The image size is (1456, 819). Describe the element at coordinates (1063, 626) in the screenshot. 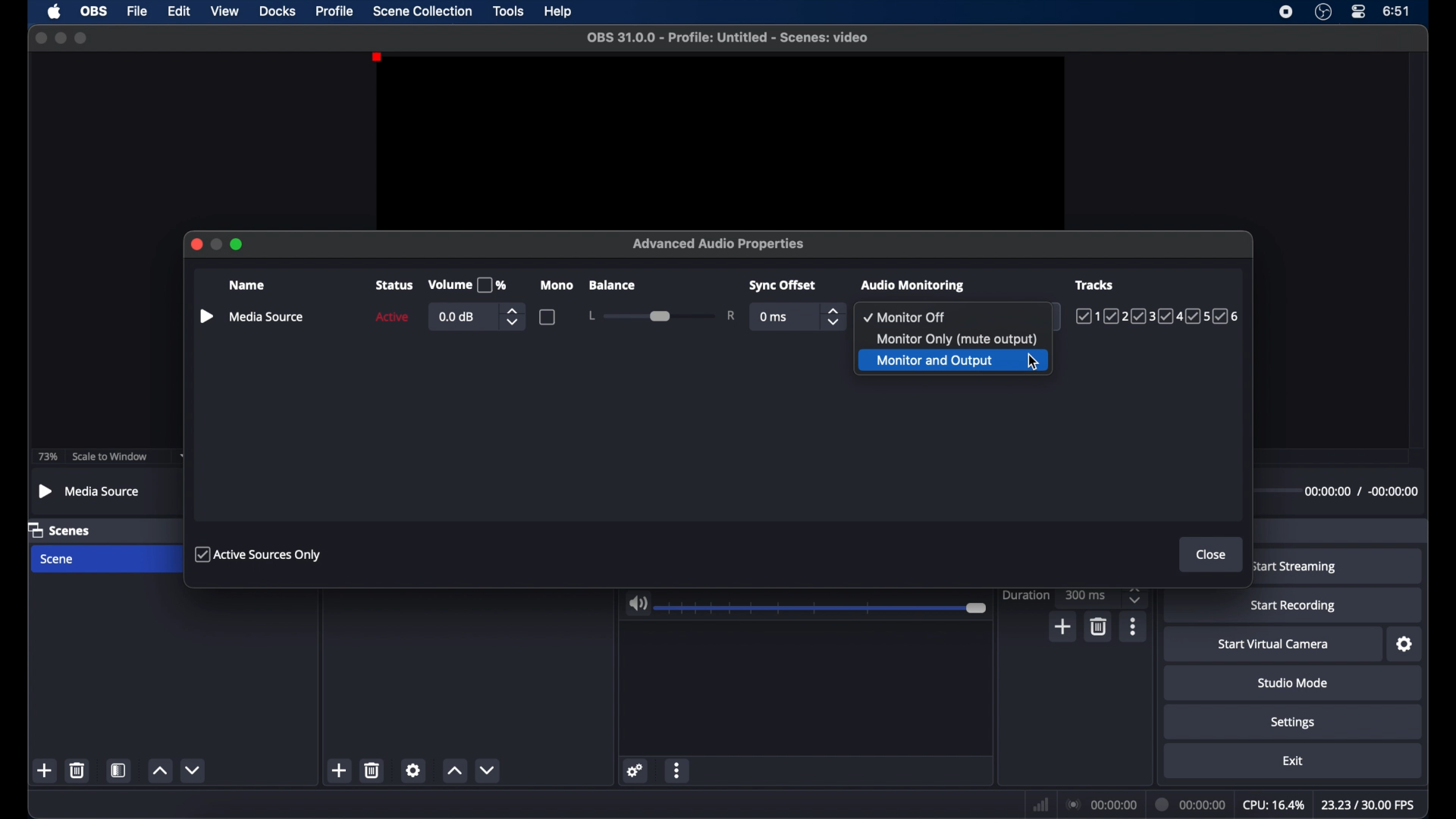

I see `add` at that location.